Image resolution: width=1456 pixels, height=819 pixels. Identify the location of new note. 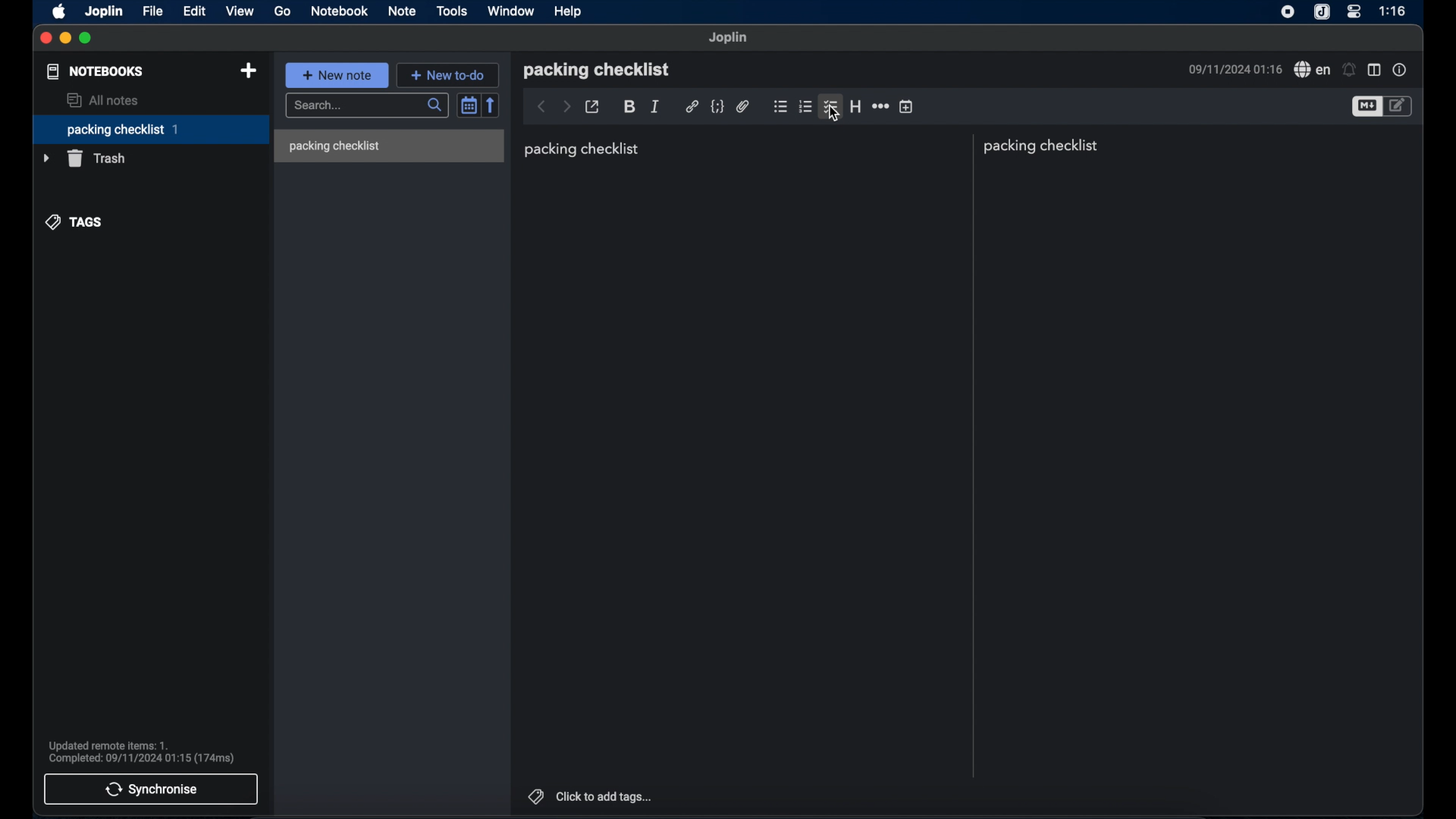
(337, 75).